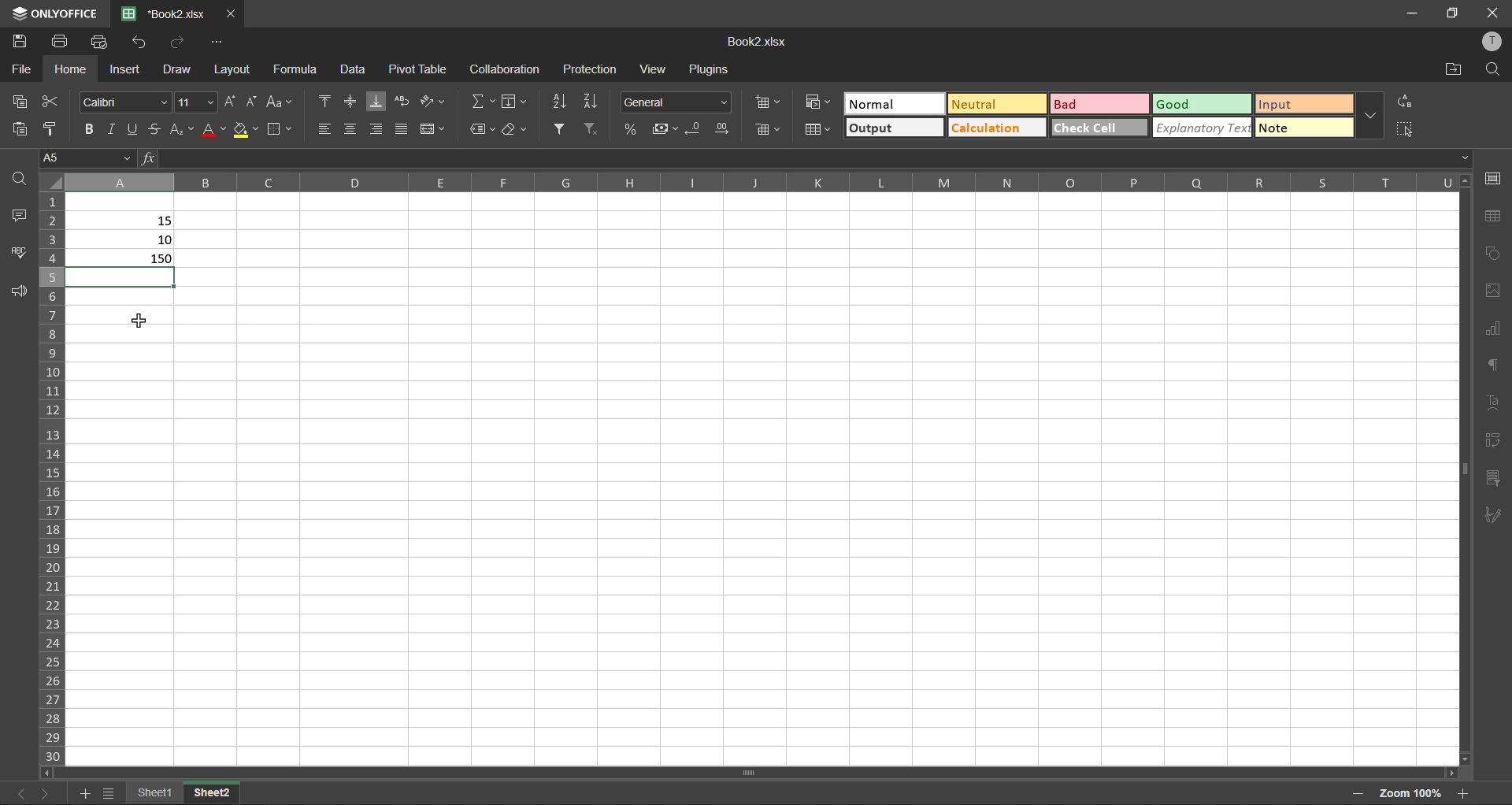 The height and width of the screenshot is (805, 1512). What do you see at coordinates (132, 127) in the screenshot?
I see `underline` at bounding box center [132, 127].